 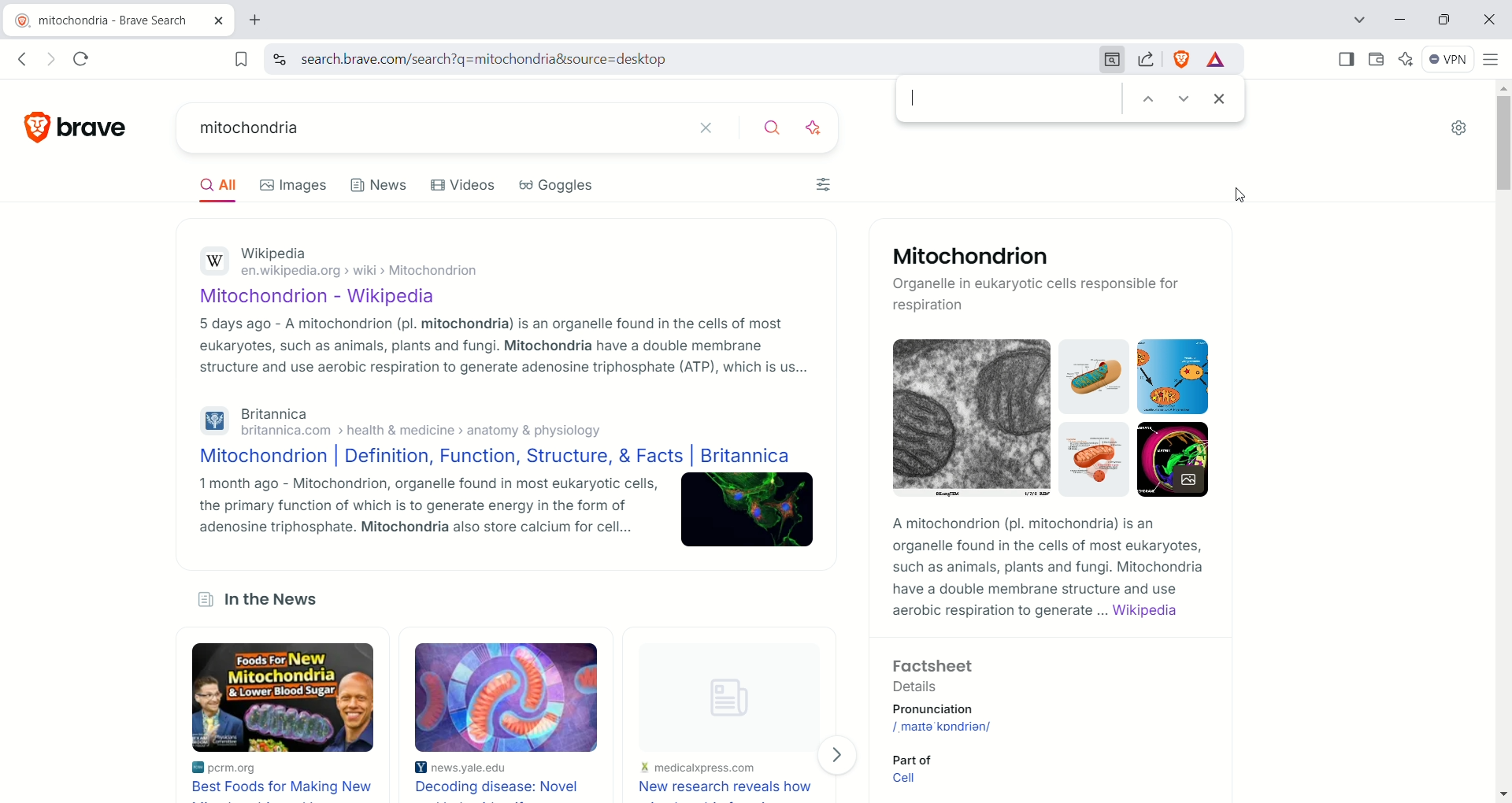 What do you see at coordinates (96, 129) in the screenshot?
I see `brave` at bounding box center [96, 129].